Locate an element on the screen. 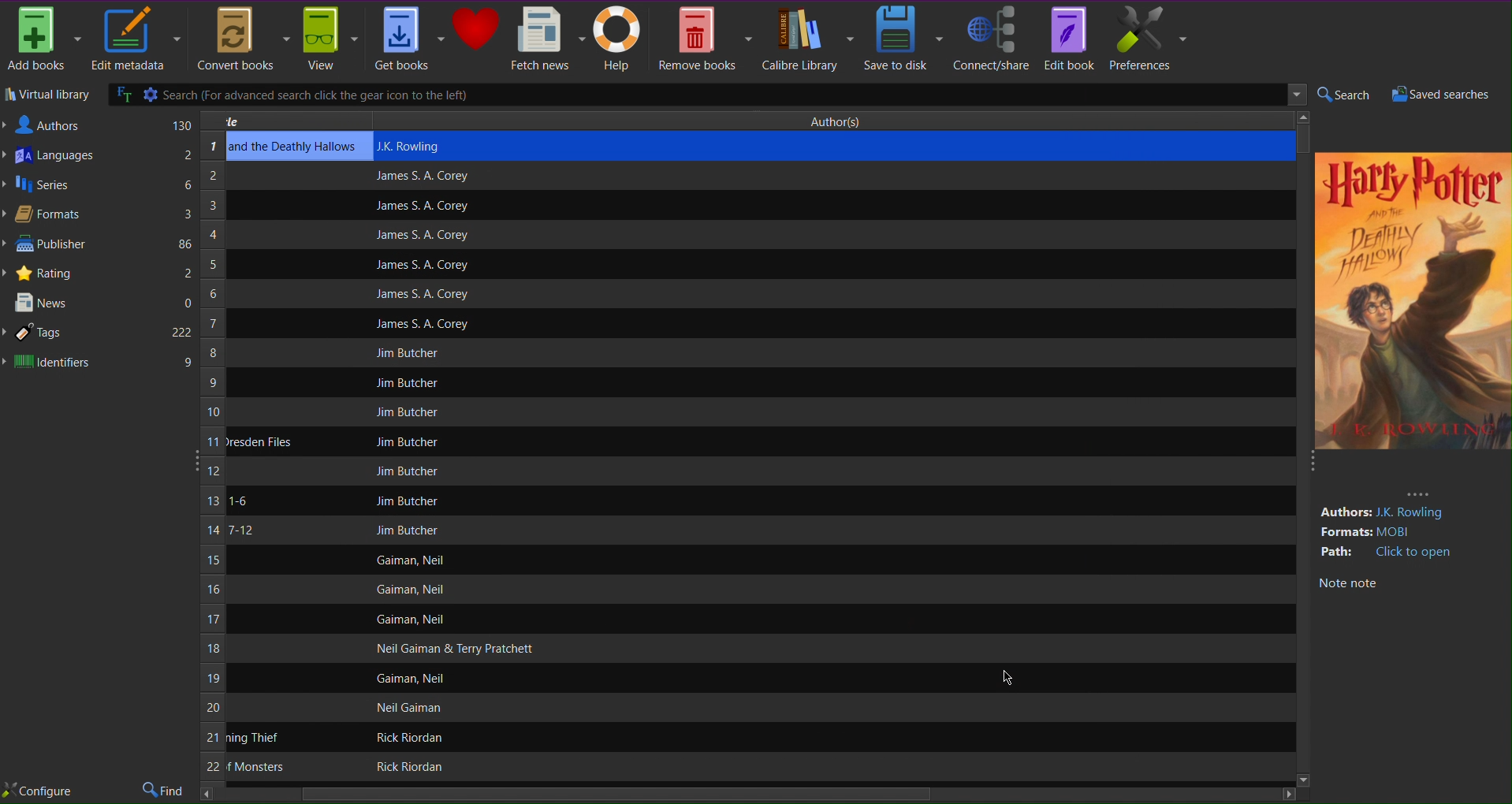 The image size is (1512, 804). Formats is located at coordinates (99, 214).